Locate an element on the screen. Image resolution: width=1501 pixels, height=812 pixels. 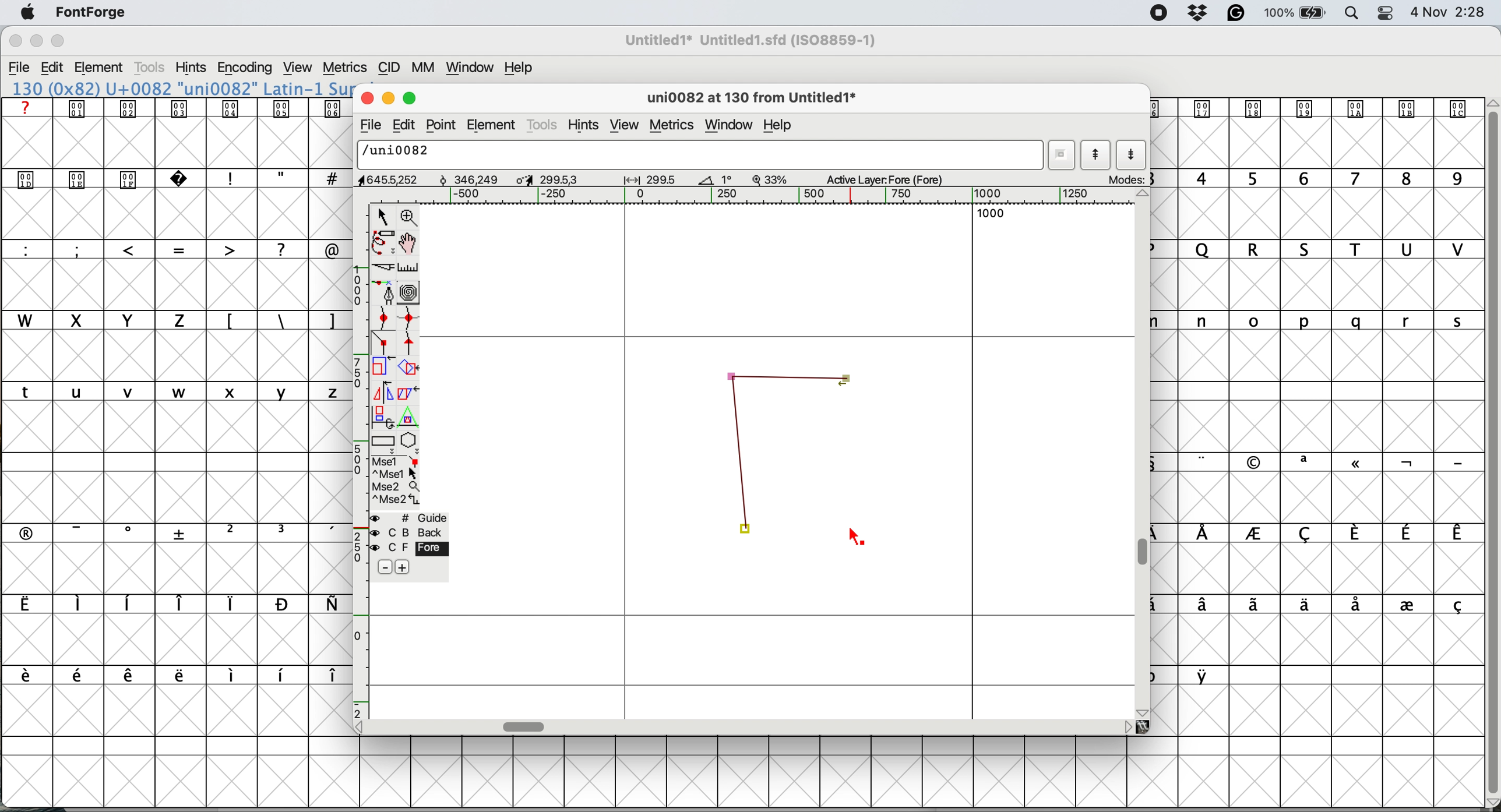
show previous letter is located at coordinates (1096, 155).